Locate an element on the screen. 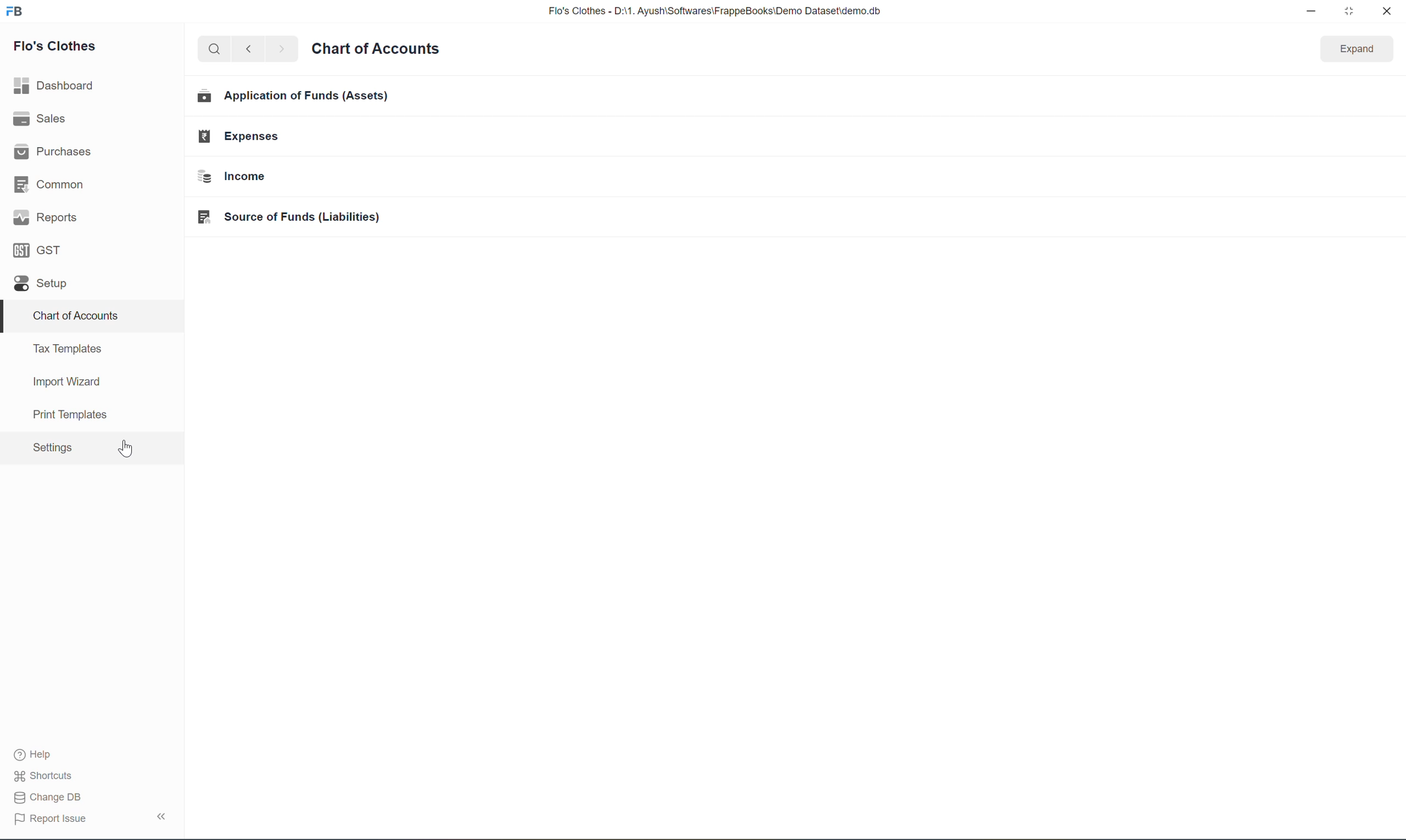 This screenshot has width=1406, height=840. Flo's Clothes is located at coordinates (55, 47).